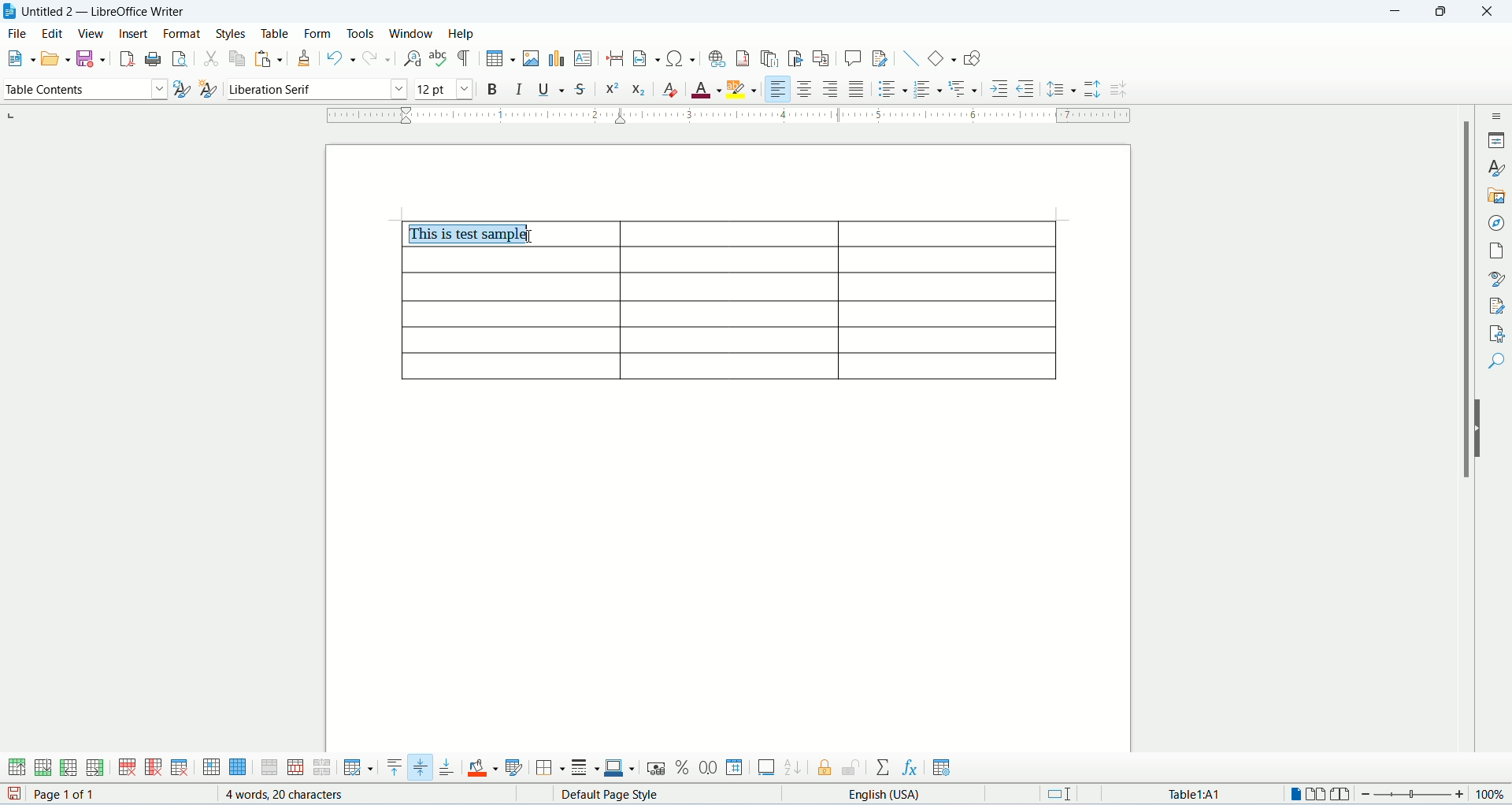  Describe the element at coordinates (1498, 169) in the screenshot. I see `styles` at that location.